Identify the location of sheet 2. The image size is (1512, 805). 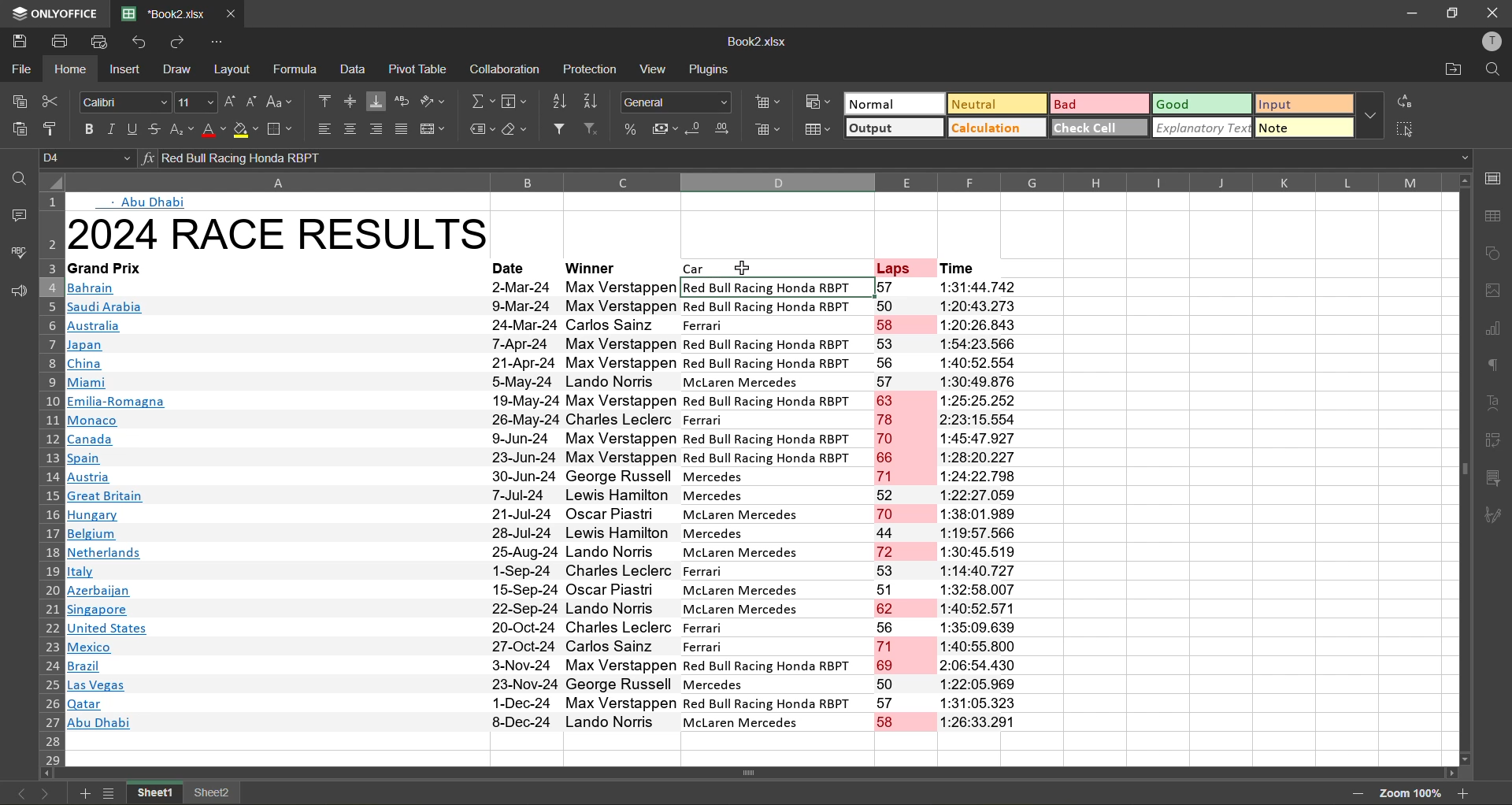
(216, 793).